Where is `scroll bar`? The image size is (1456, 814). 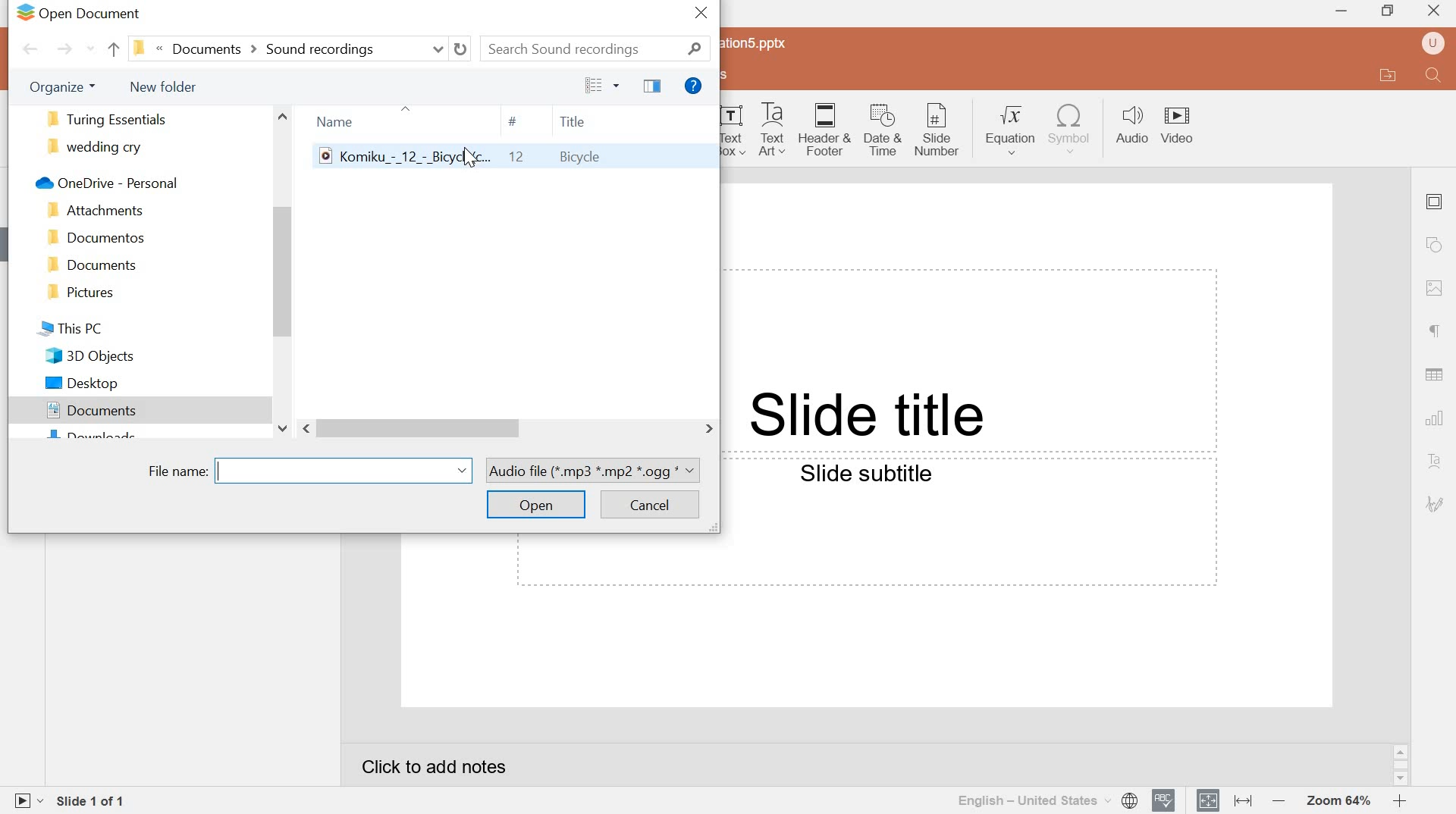 scroll bar is located at coordinates (284, 271).